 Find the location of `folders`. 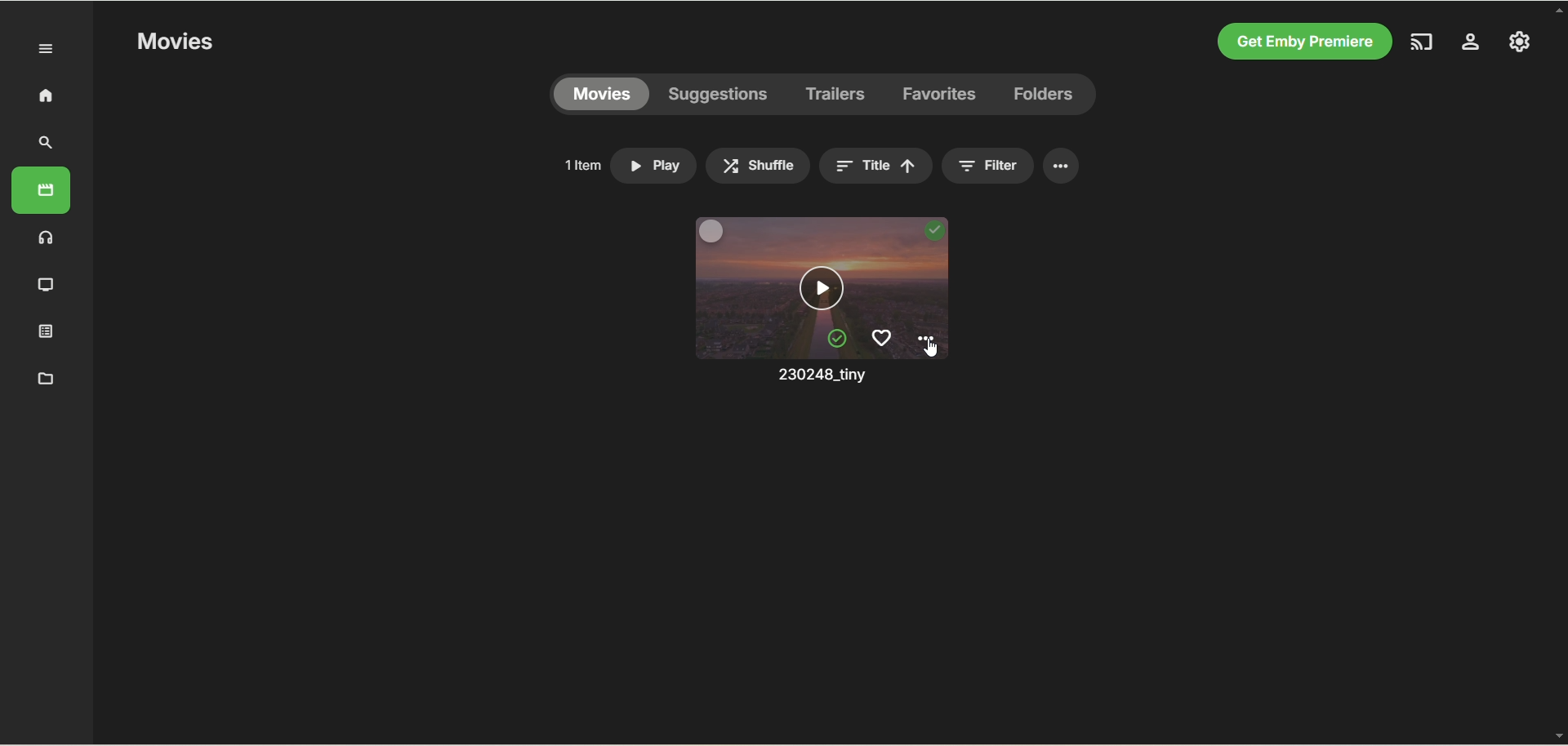

folders is located at coordinates (1042, 95).